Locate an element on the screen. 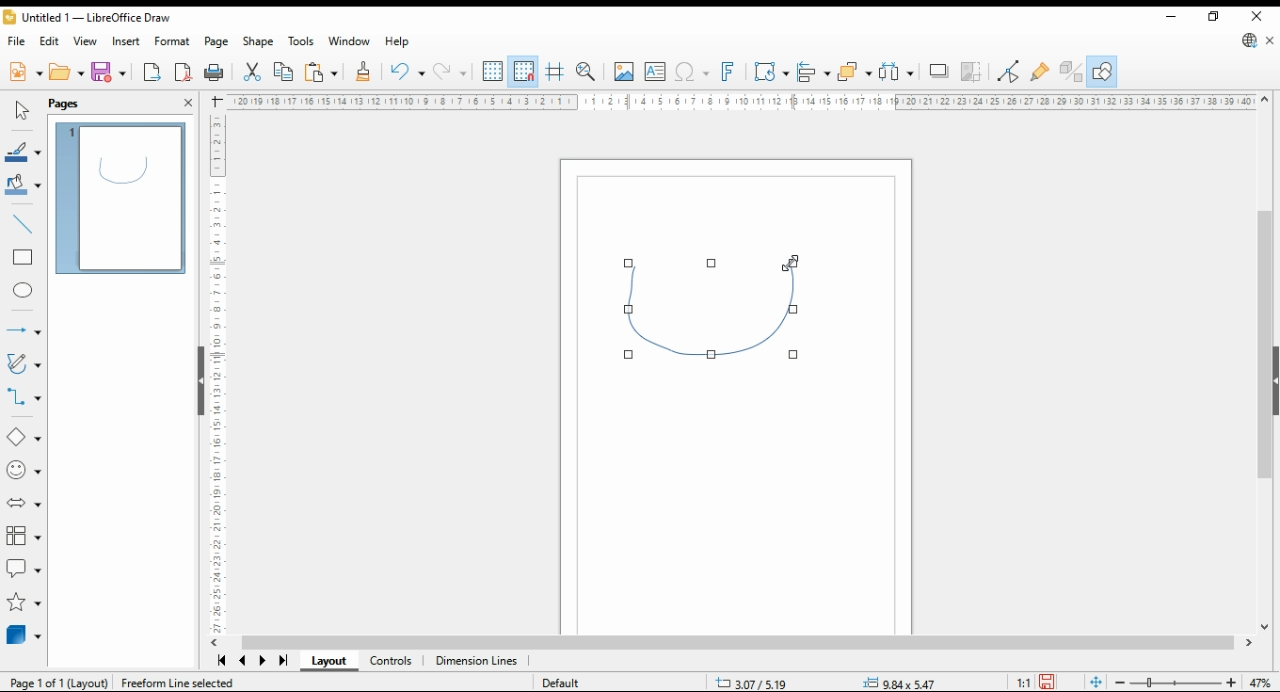 The height and width of the screenshot is (692, 1280). open is located at coordinates (66, 71).